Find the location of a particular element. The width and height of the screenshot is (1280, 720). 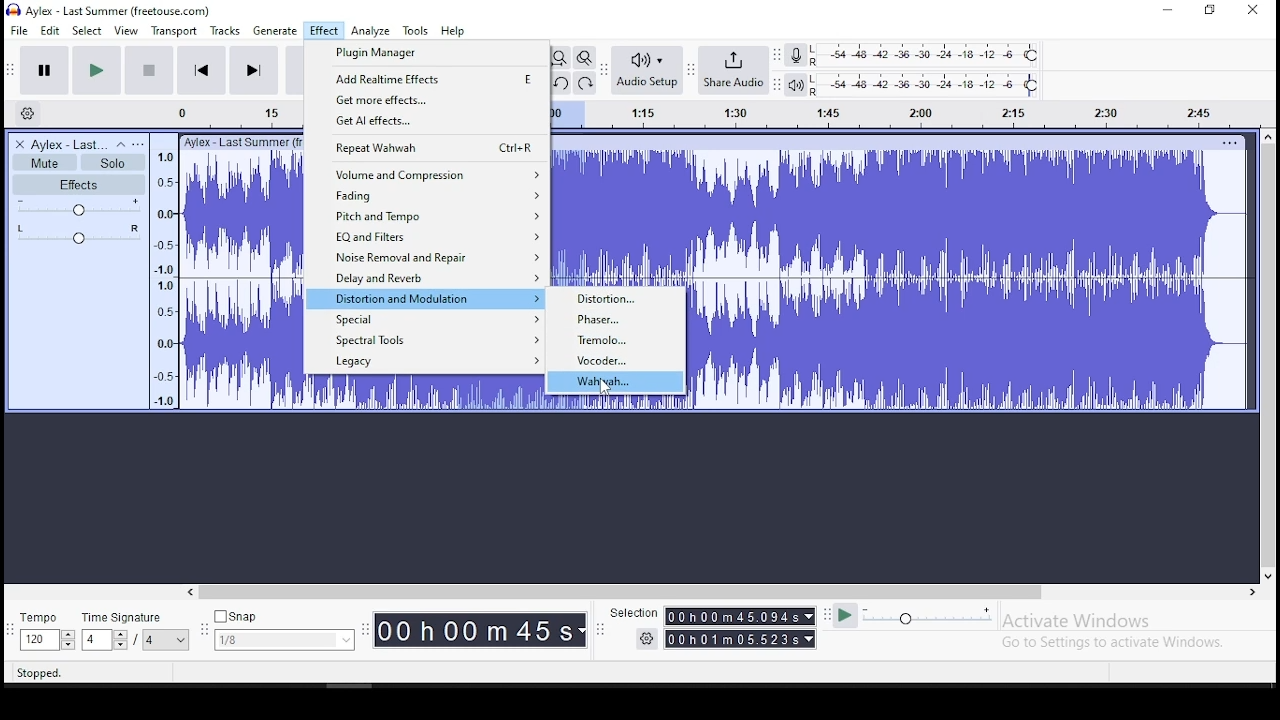

timeline is located at coordinates (888, 110).